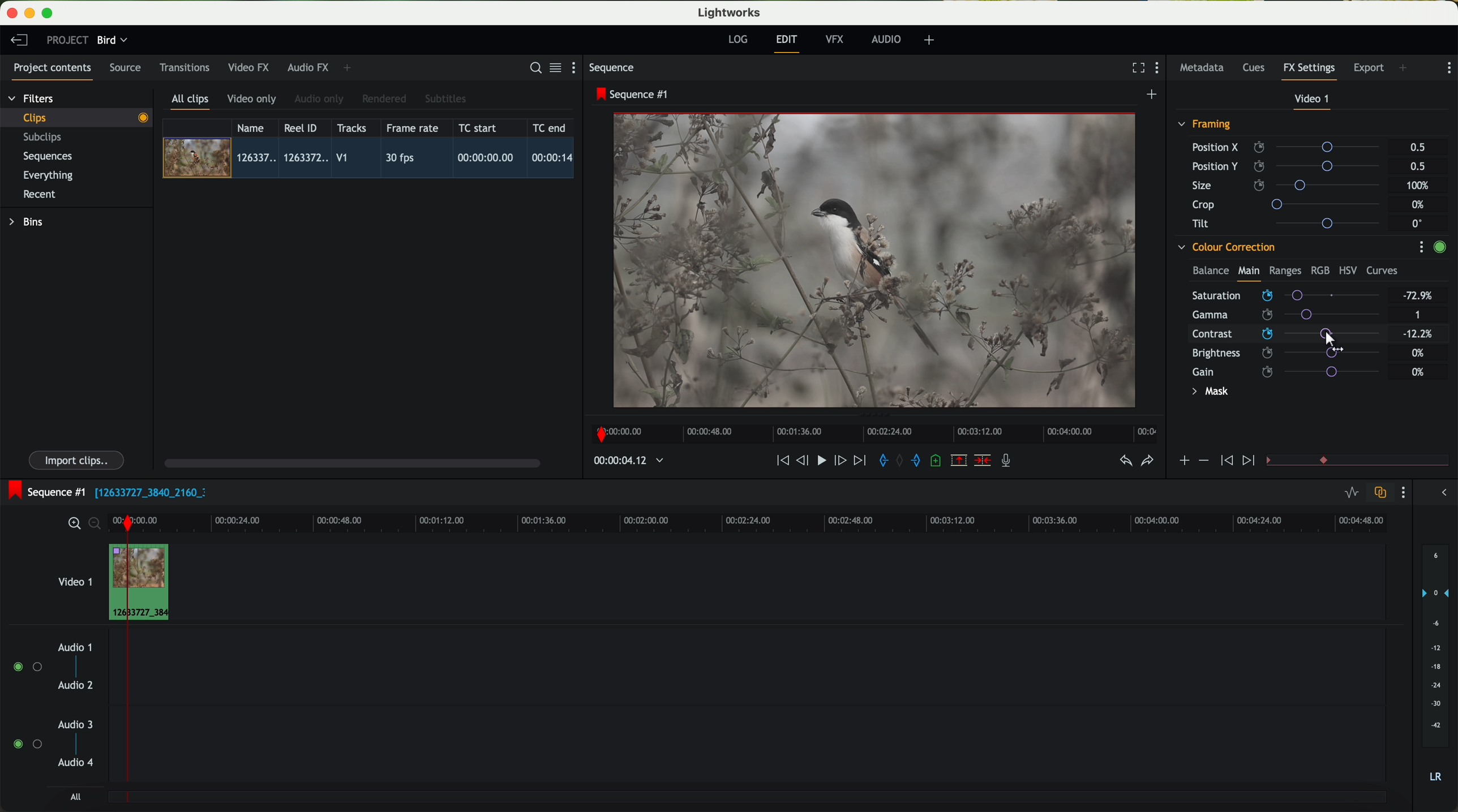 The image size is (1458, 812). Describe the element at coordinates (788, 42) in the screenshot. I see `edit` at that location.